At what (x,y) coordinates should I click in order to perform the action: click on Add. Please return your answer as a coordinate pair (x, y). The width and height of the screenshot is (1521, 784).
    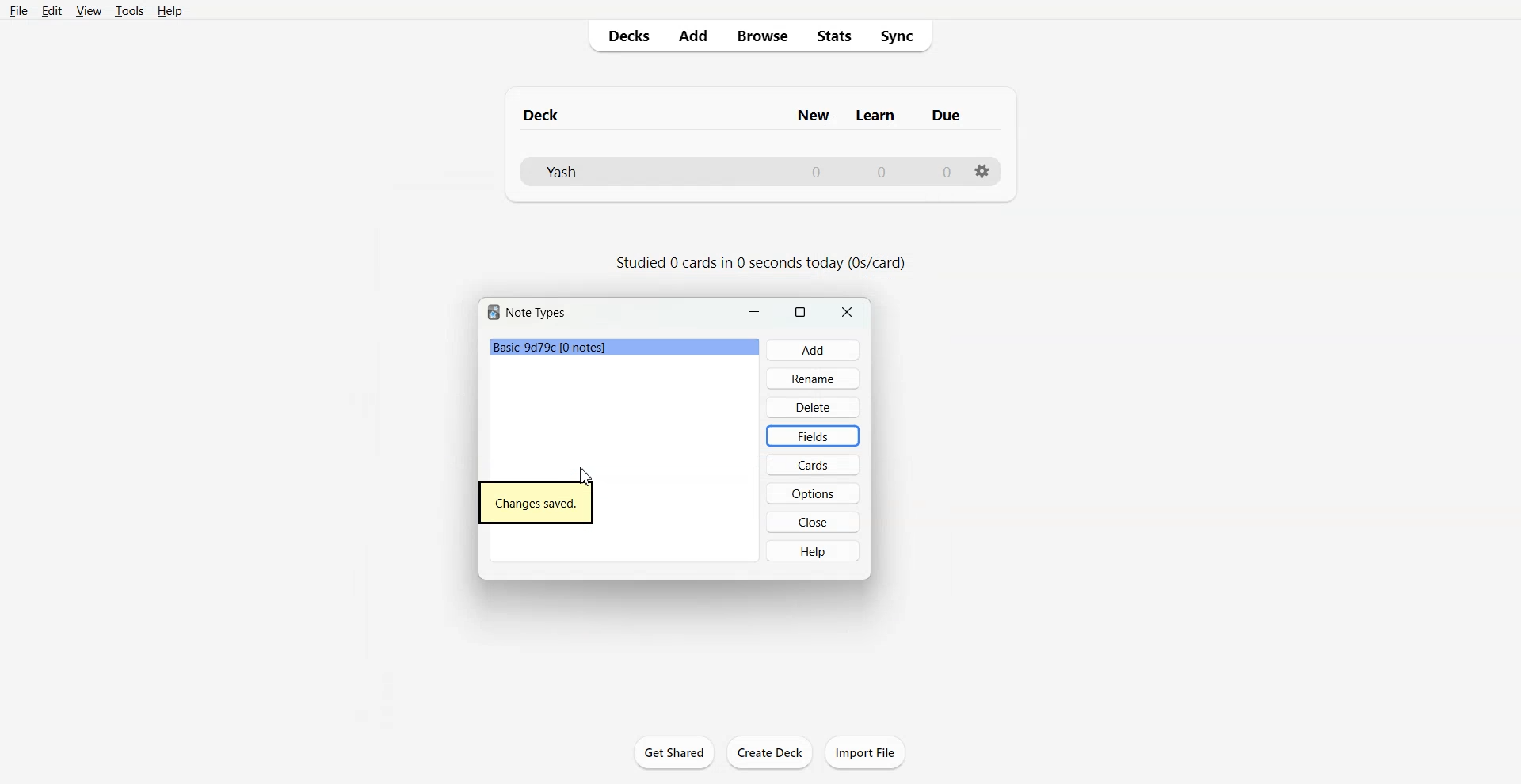
    Looking at the image, I should click on (692, 36).